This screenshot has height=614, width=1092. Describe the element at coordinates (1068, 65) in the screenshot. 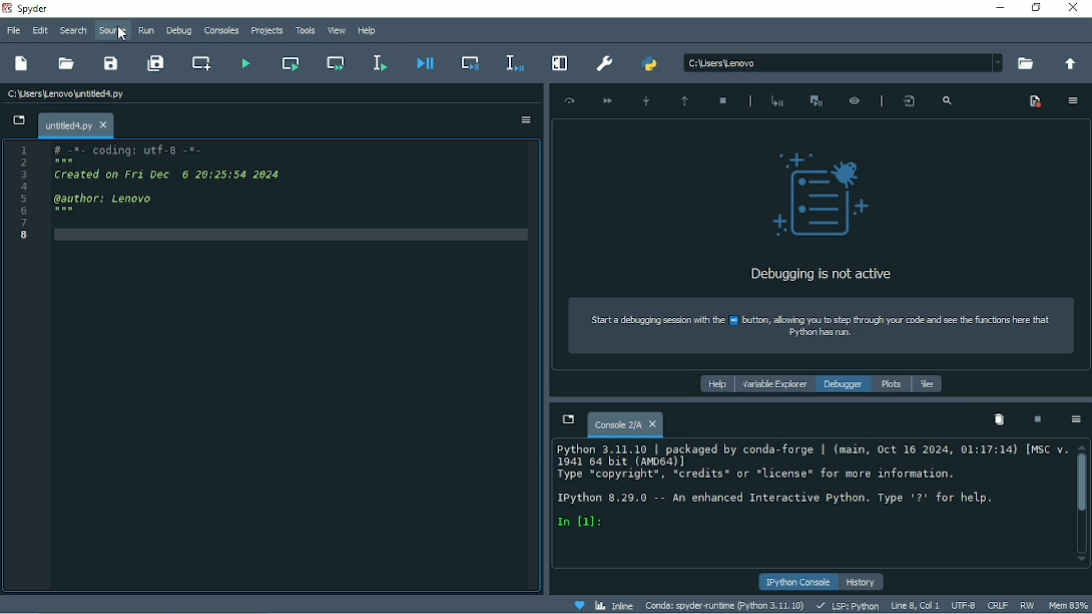

I see `Change to parent directory` at that location.